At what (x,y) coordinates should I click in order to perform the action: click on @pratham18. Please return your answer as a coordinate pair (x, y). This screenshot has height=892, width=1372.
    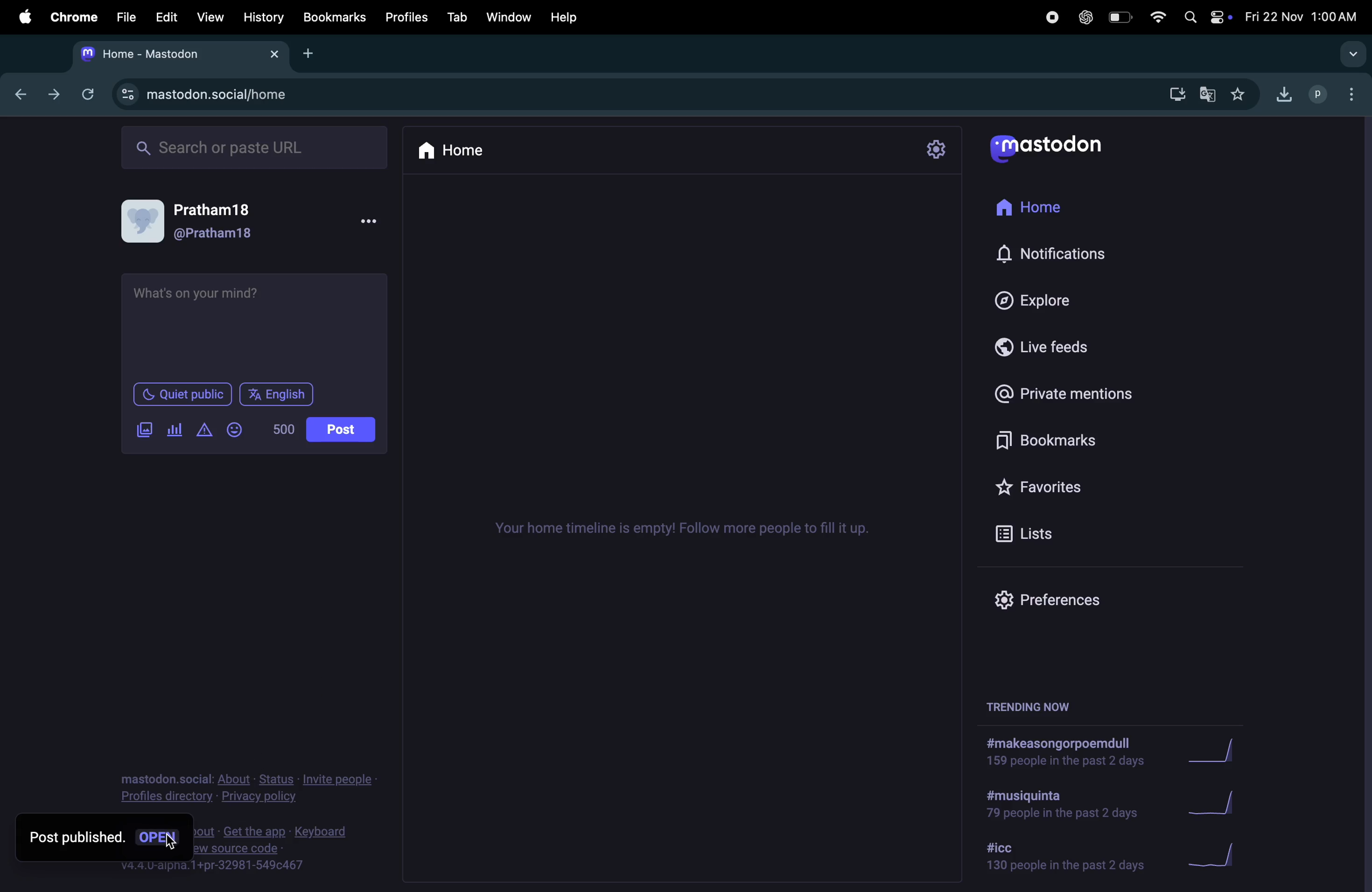
    Looking at the image, I should click on (216, 235).